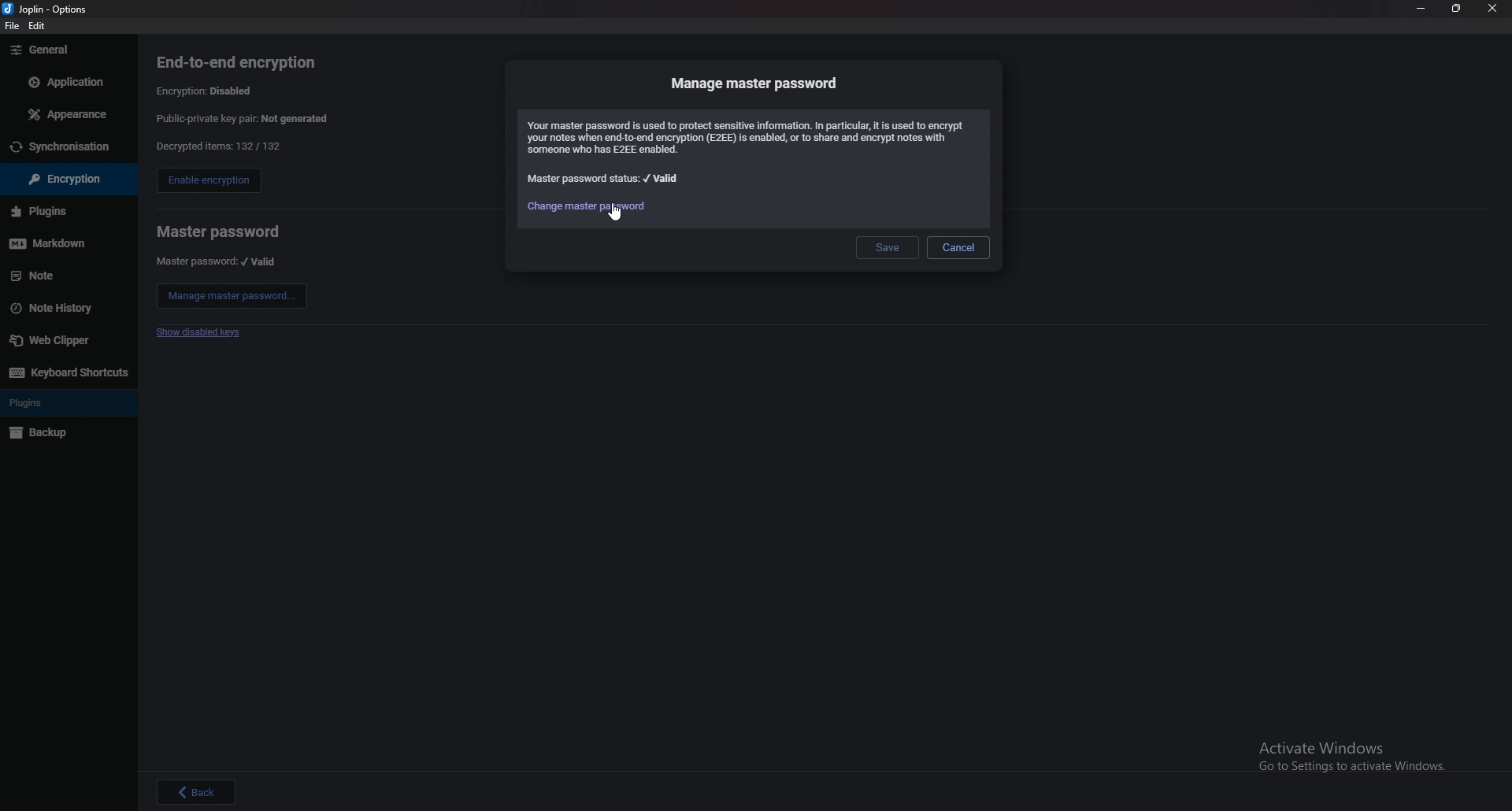 The height and width of the screenshot is (811, 1512). Describe the element at coordinates (68, 339) in the screenshot. I see `web clipper` at that location.